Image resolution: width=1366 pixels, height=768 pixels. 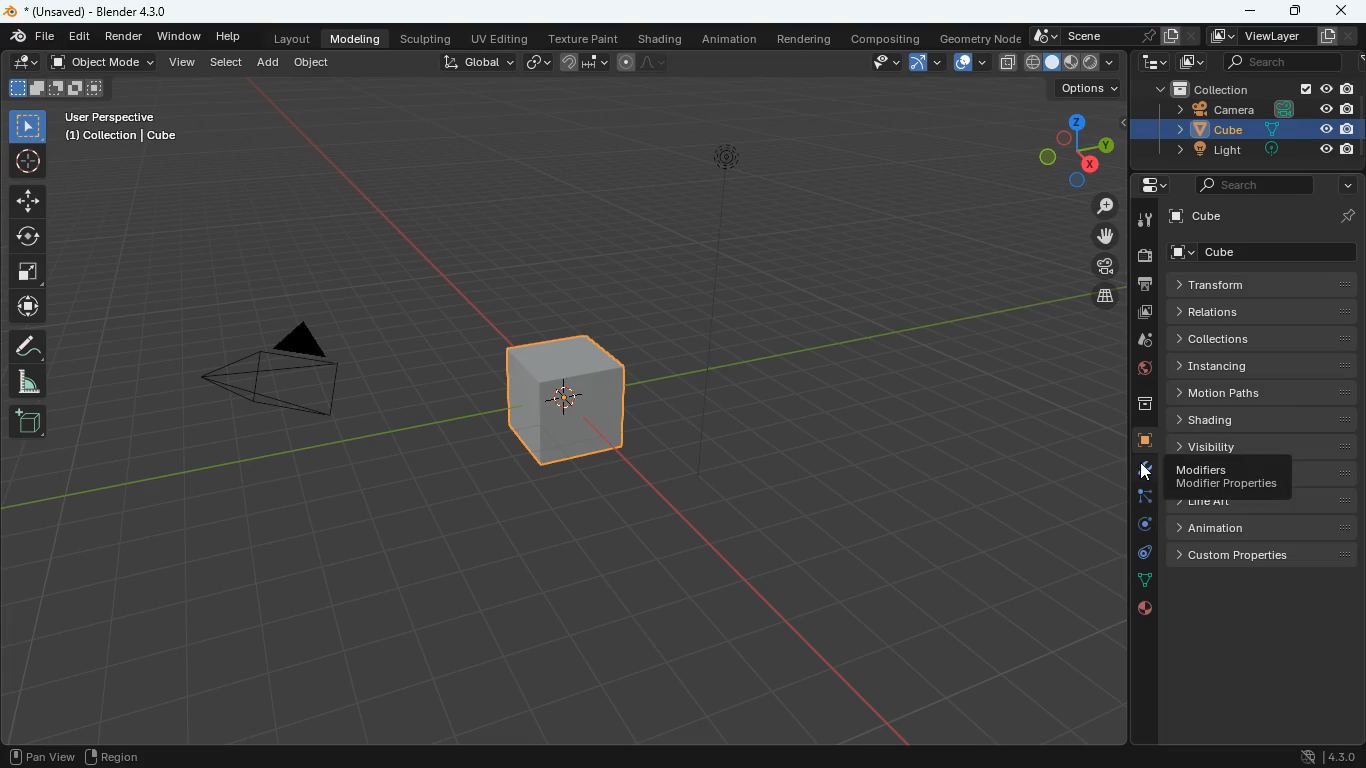 I want to click on , so click(x=1347, y=89).